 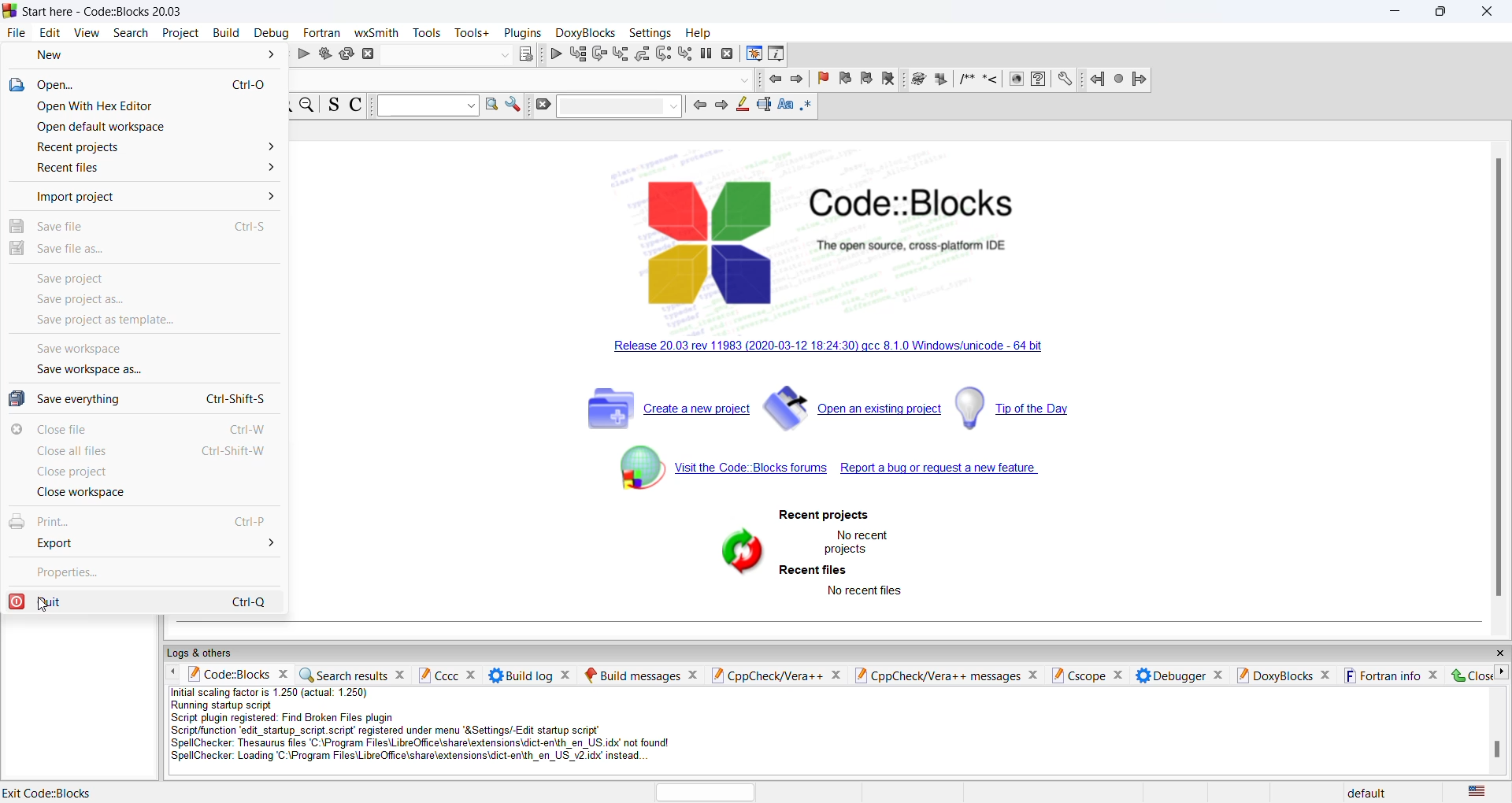 What do you see at coordinates (342, 675) in the screenshot?
I see `search result pane` at bounding box center [342, 675].